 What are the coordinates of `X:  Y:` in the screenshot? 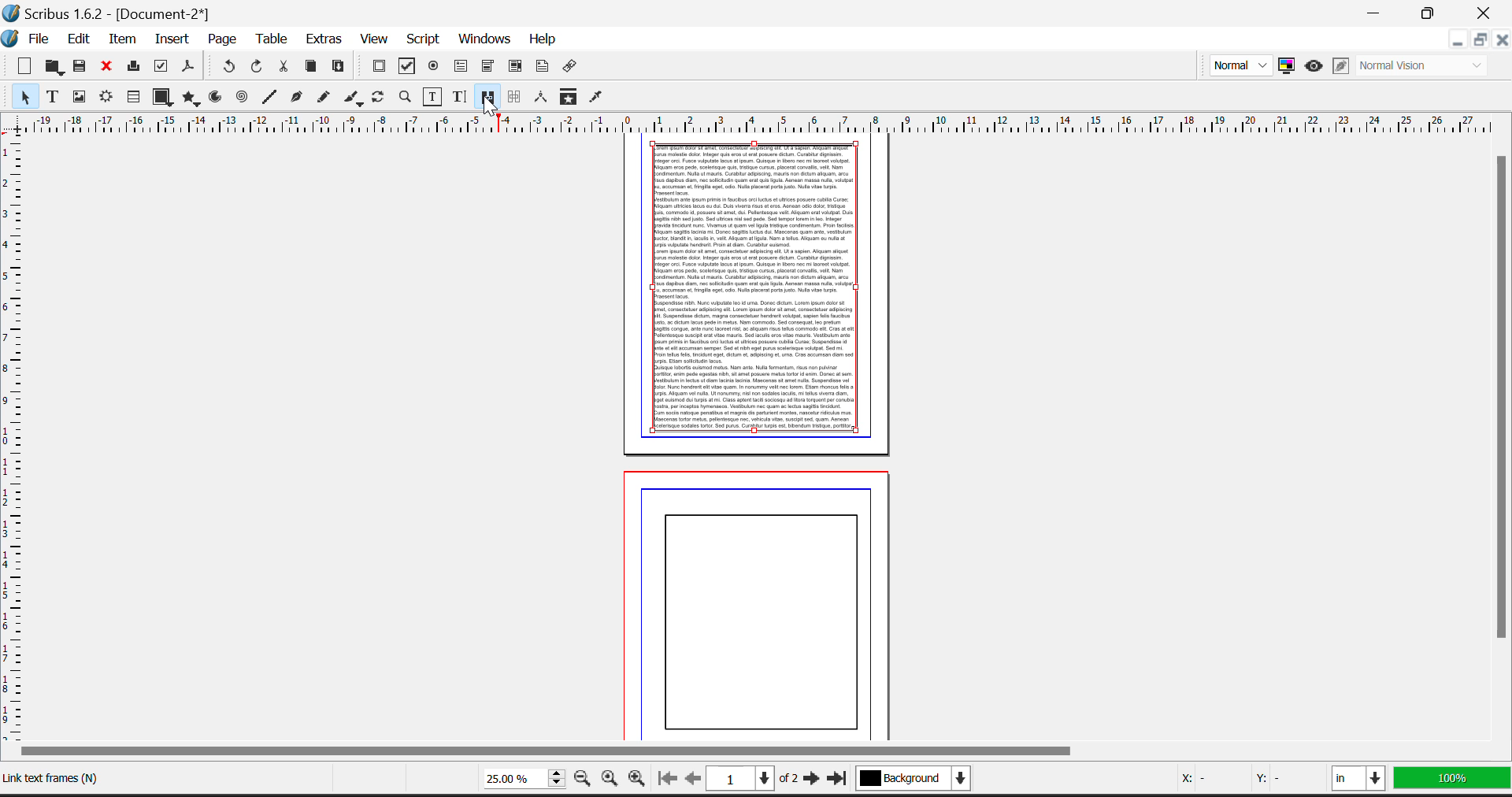 It's located at (1243, 781).